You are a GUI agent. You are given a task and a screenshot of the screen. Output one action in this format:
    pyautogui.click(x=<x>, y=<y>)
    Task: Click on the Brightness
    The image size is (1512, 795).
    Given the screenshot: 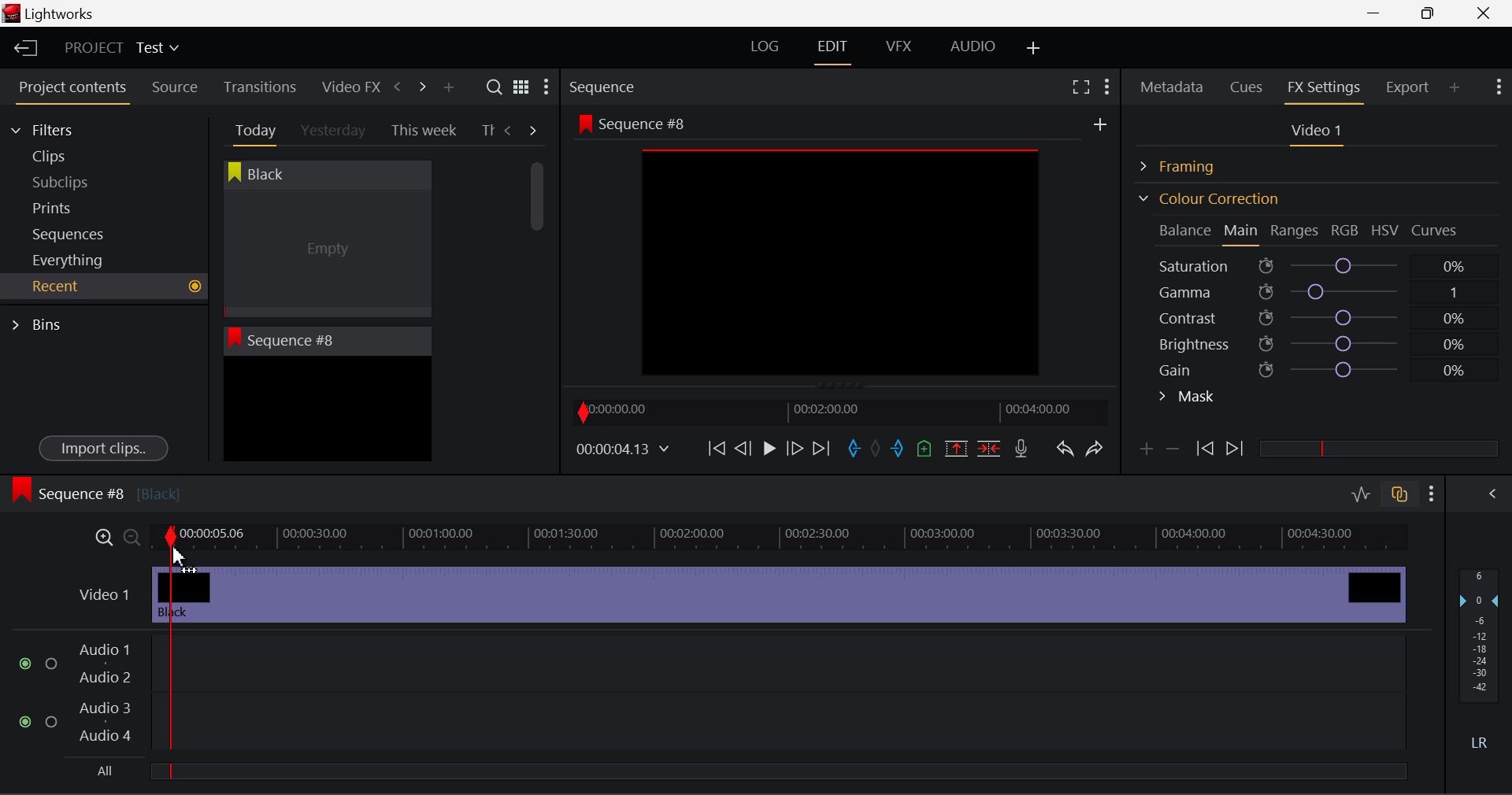 What is the action you would take?
    pyautogui.click(x=1318, y=341)
    